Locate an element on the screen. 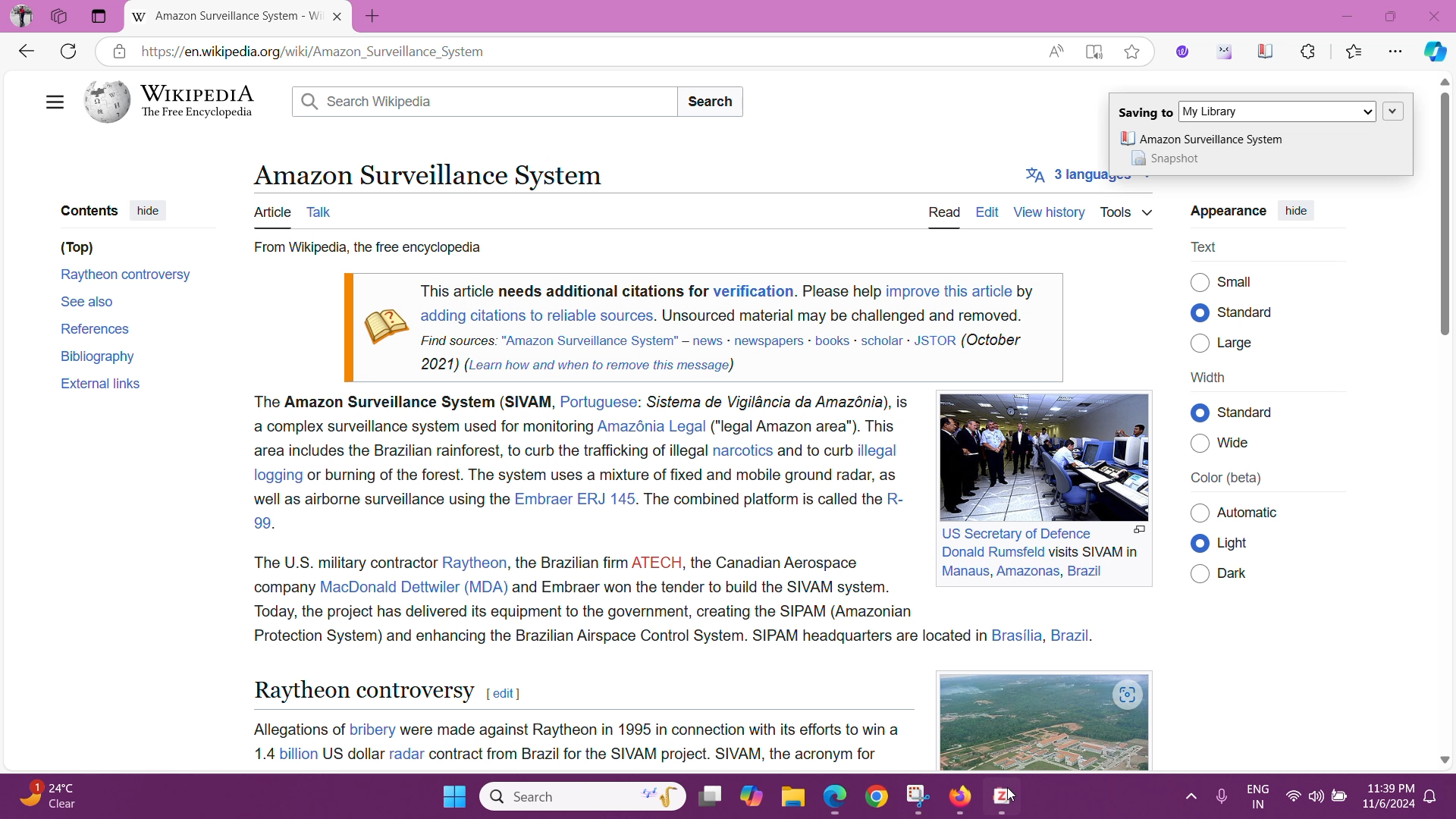 This screenshot has width=1456, height=819. US dollar is located at coordinates (352, 754).